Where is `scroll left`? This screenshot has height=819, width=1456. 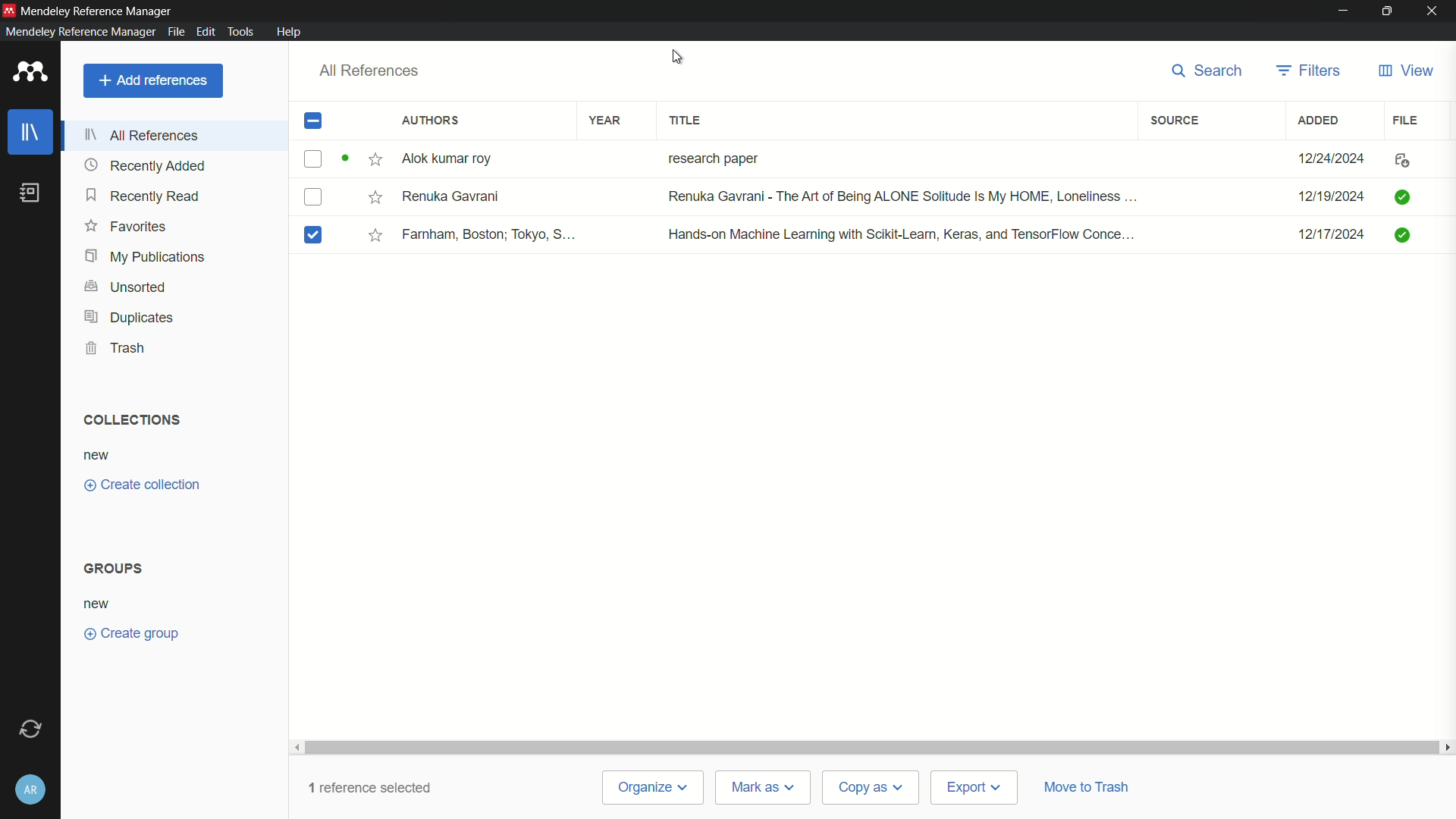
scroll left is located at coordinates (298, 747).